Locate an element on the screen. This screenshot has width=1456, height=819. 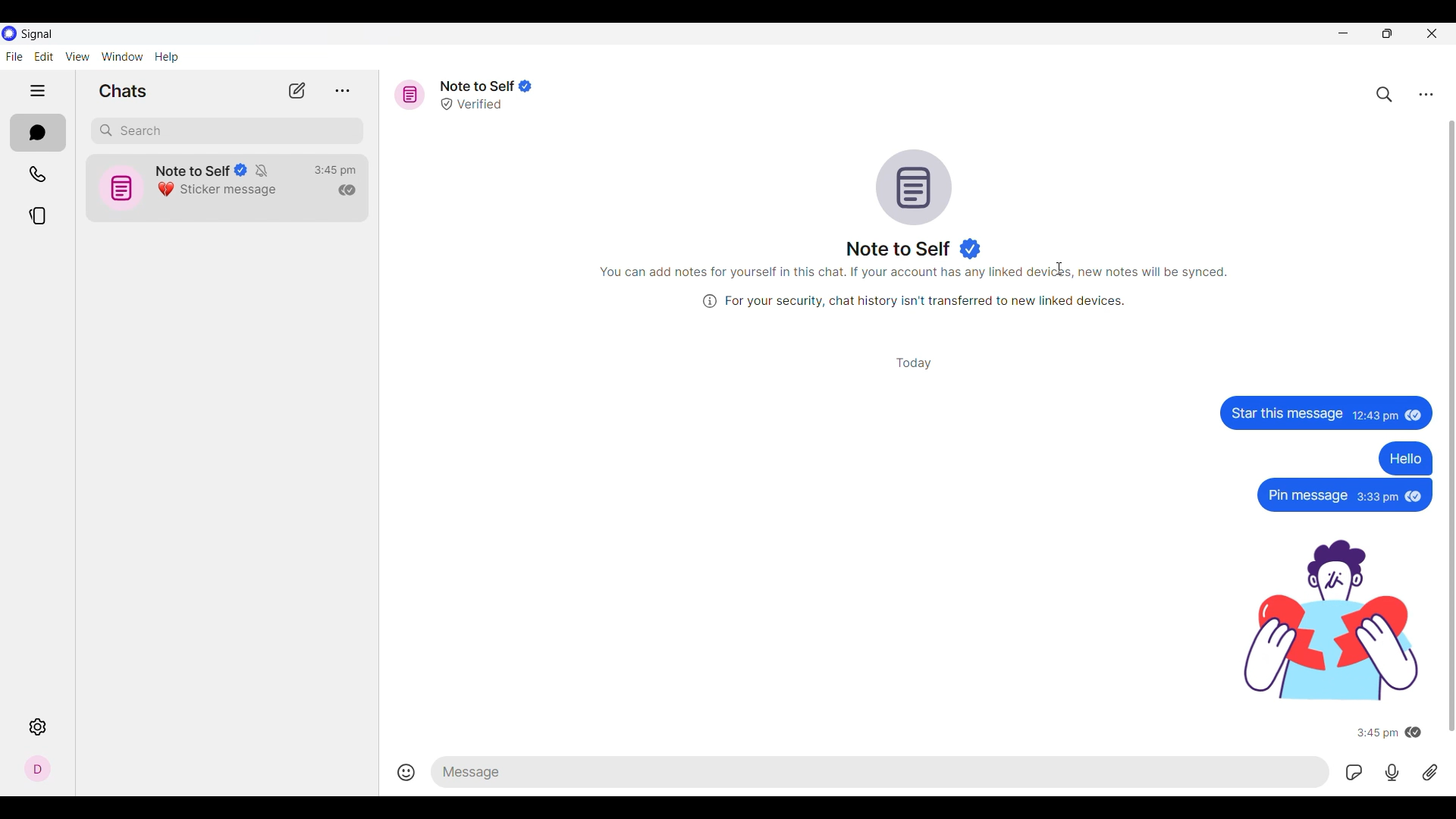
Edit menu is located at coordinates (44, 56).